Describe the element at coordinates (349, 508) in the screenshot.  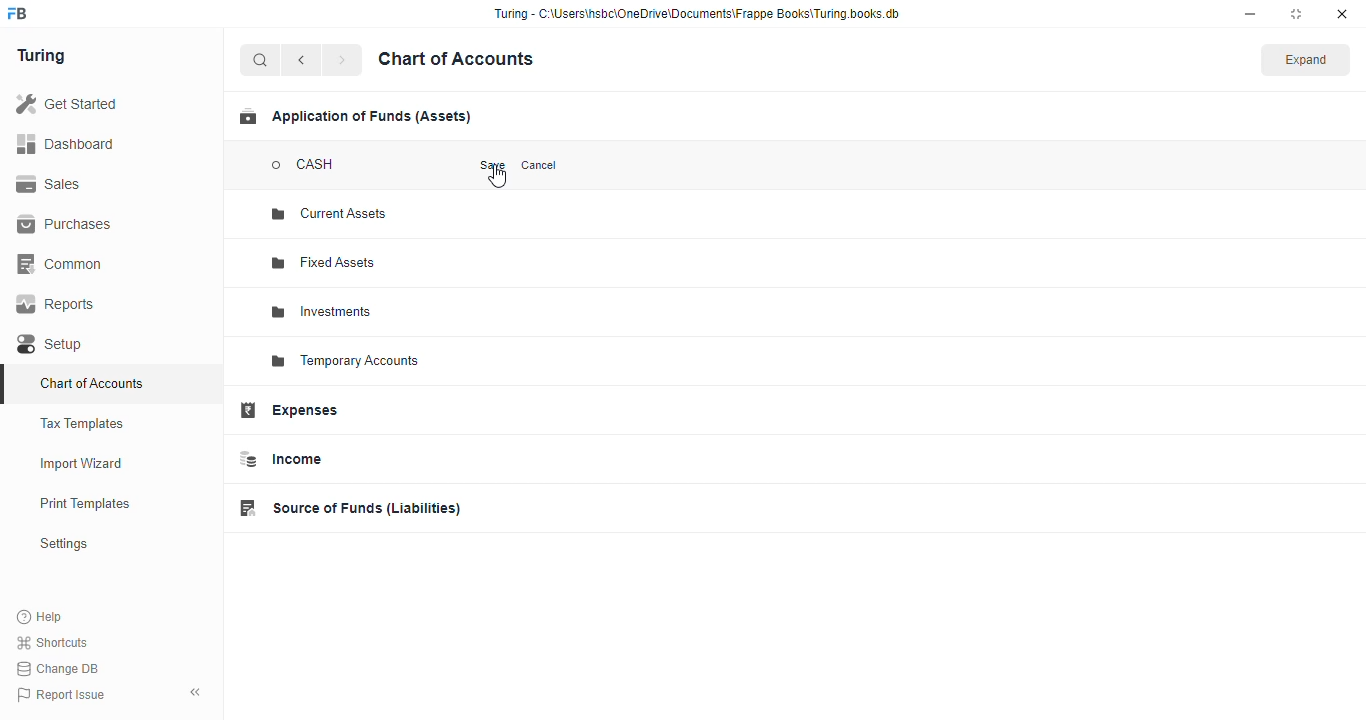
I see `source of funds (liabilities)` at that location.